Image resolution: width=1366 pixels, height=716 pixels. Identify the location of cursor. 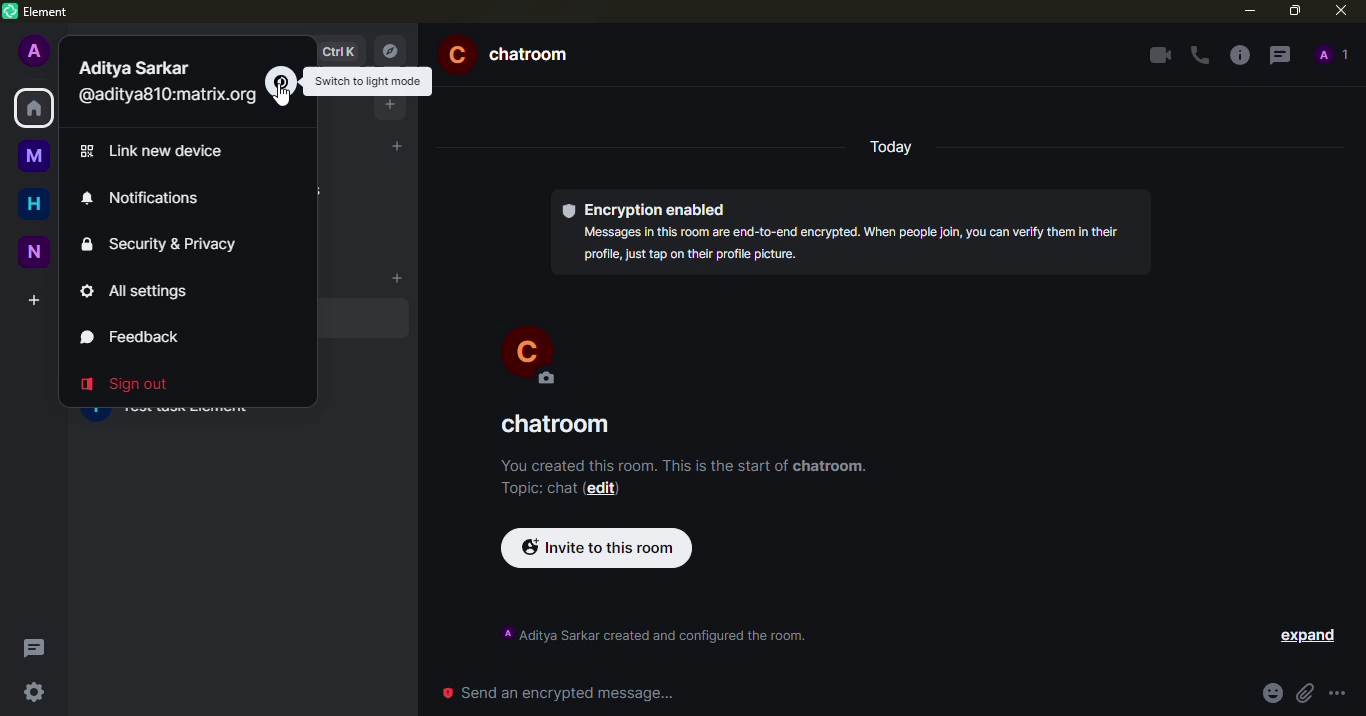
(286, 102).